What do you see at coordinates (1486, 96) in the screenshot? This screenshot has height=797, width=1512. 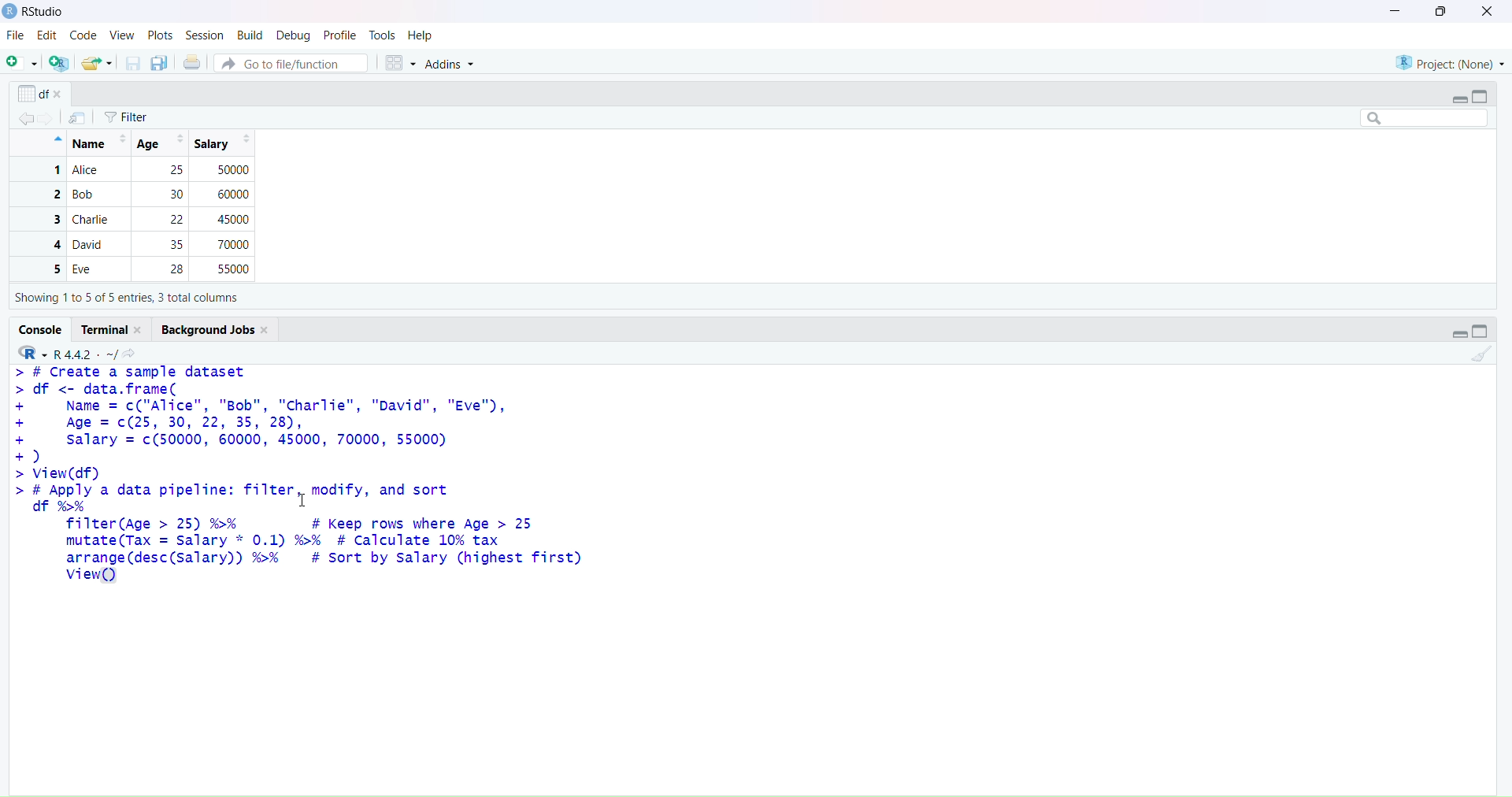 I see `collapse` at bounding box center [1486, 96].